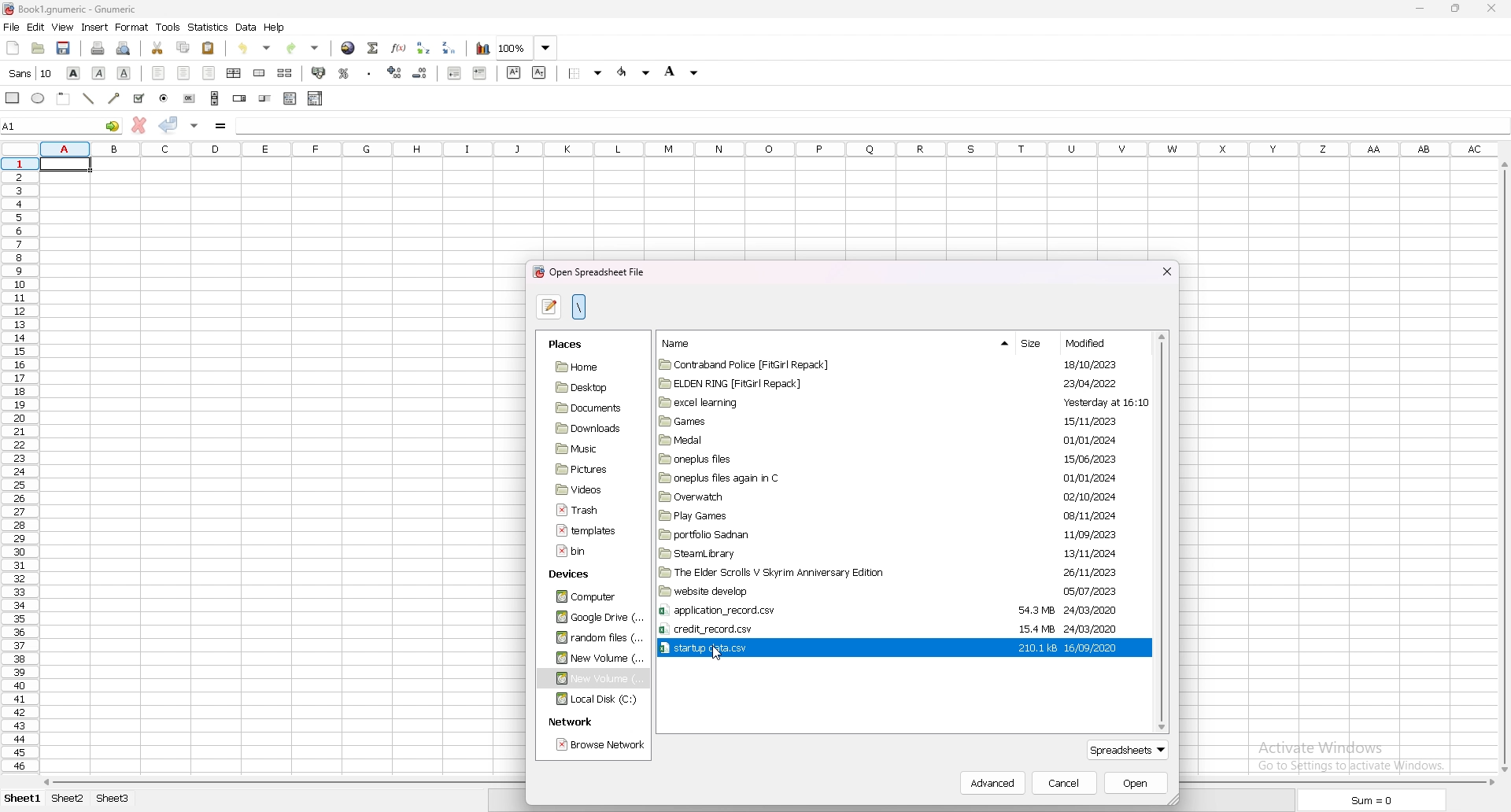 Image resolution: width=1511 pixels, height=812 pixels. What do you see at coordinates (833, 592) in the screenshot?
I see `folder` at bounding box center [833, 592].